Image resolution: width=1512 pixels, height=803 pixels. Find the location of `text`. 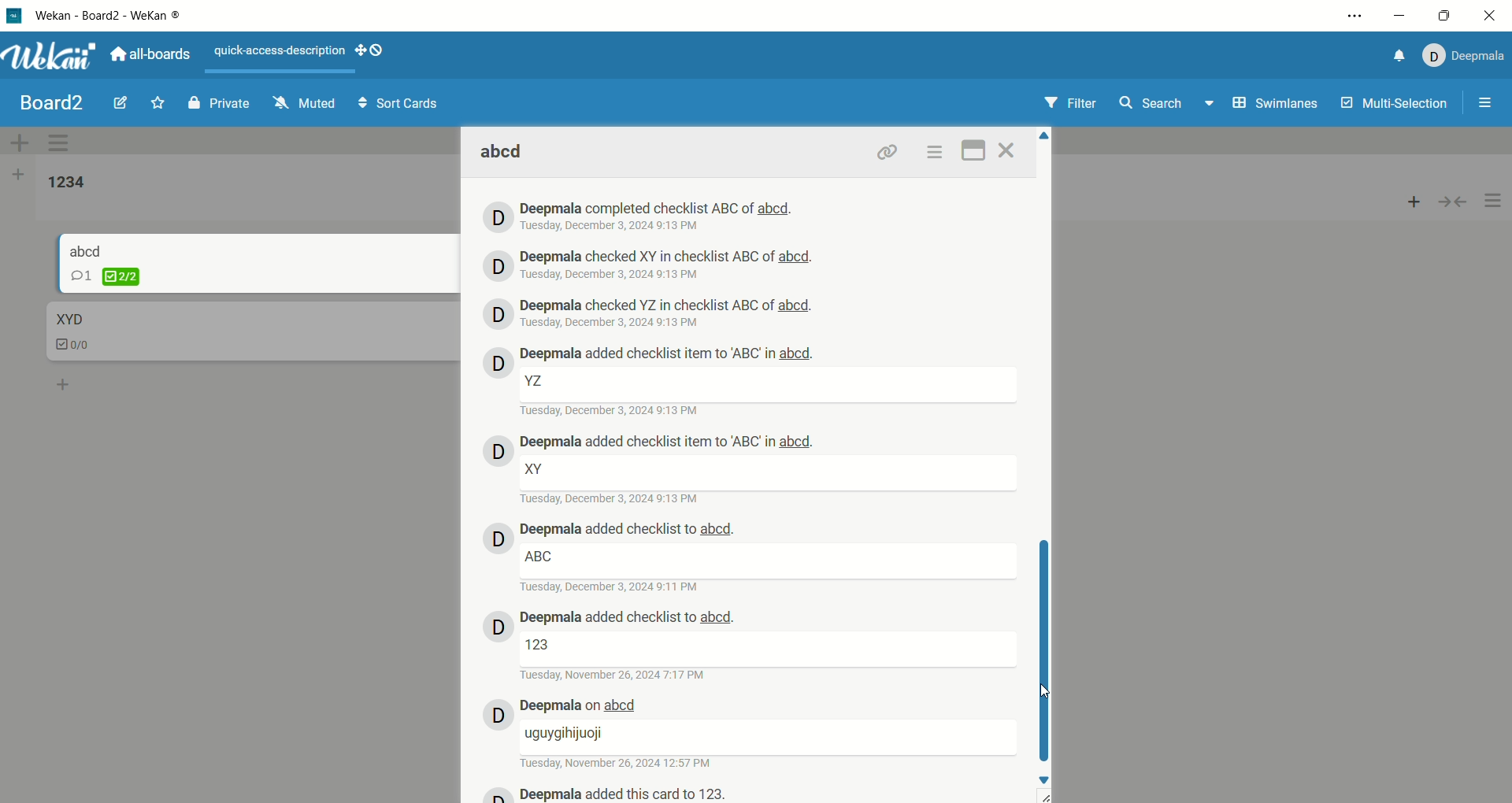

text is located at coordinates (281, 52).